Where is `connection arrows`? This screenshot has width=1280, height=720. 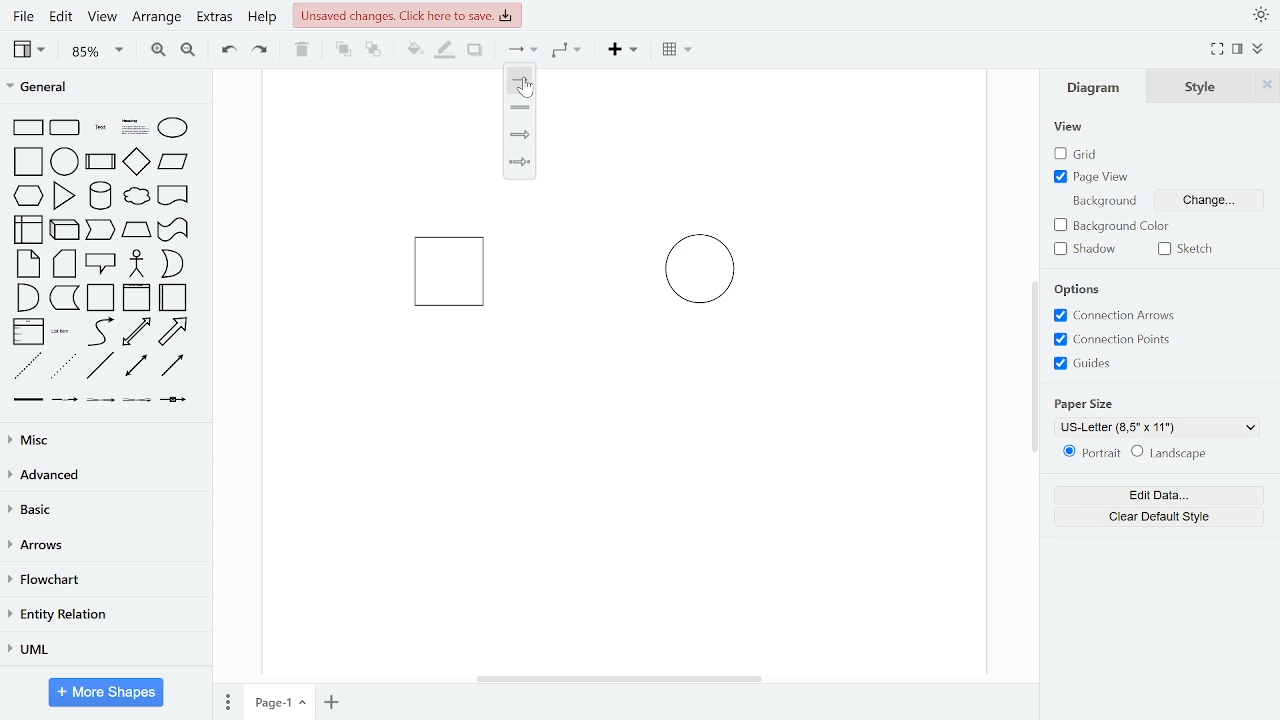 connection arrows is located at coordinates (1111, 316).